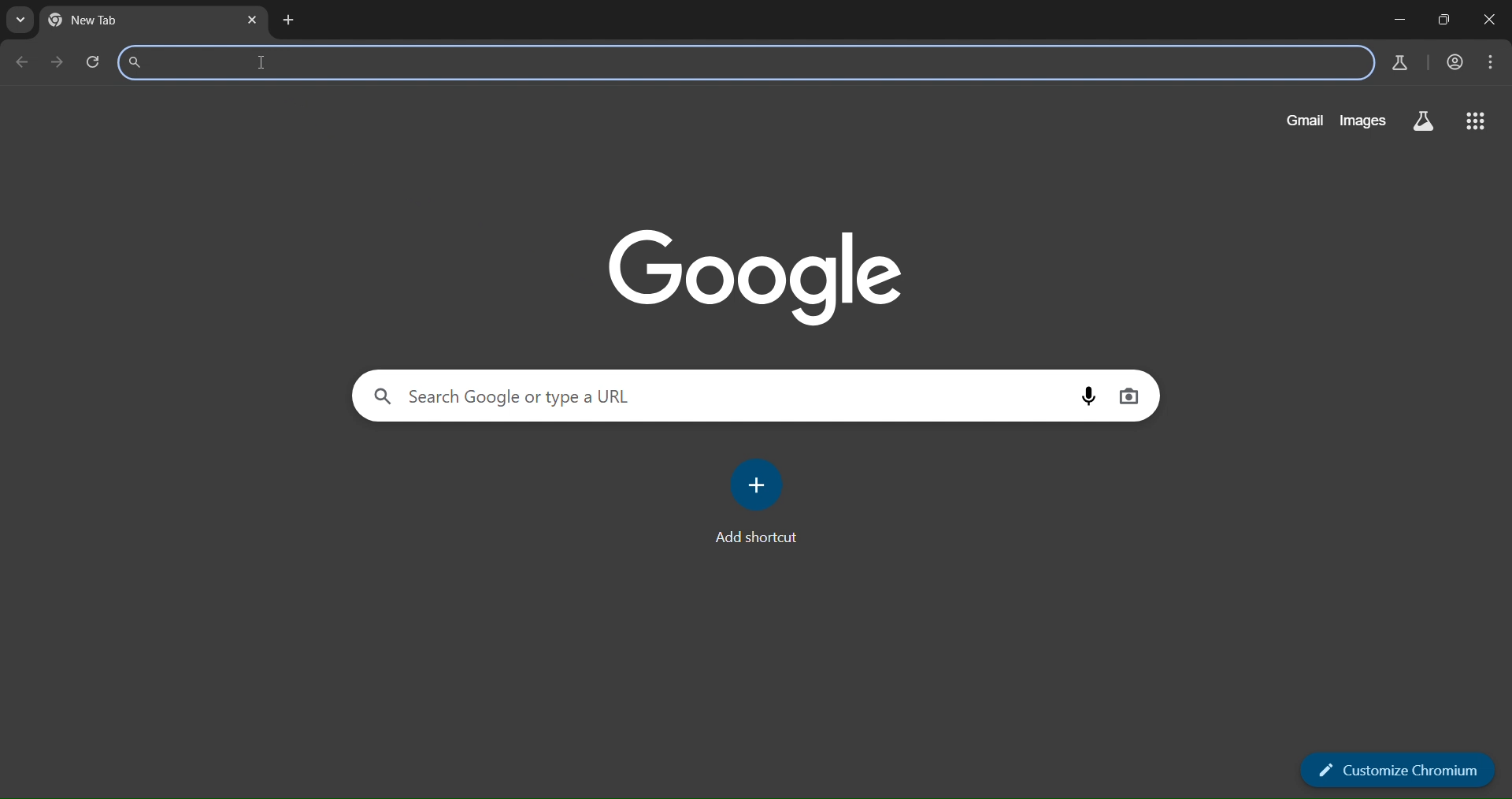  Describe the element at coordinates (313, 61) in the screenshot. I see `search panel` at that location.